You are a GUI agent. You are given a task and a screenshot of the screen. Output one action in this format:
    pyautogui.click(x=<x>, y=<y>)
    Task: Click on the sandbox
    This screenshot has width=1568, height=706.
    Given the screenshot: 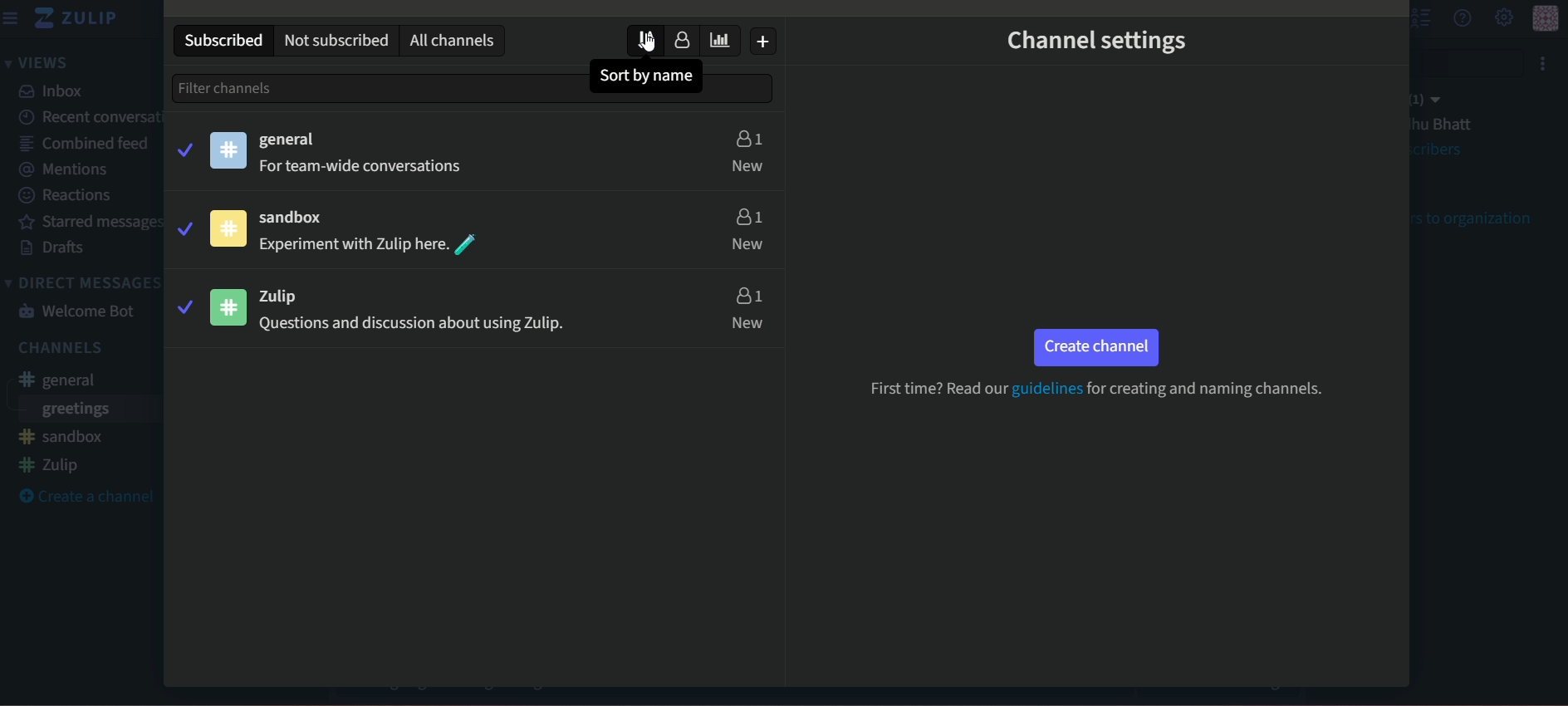 What is the action you would take?
    pyautogui.click(x=292, y=218)
    